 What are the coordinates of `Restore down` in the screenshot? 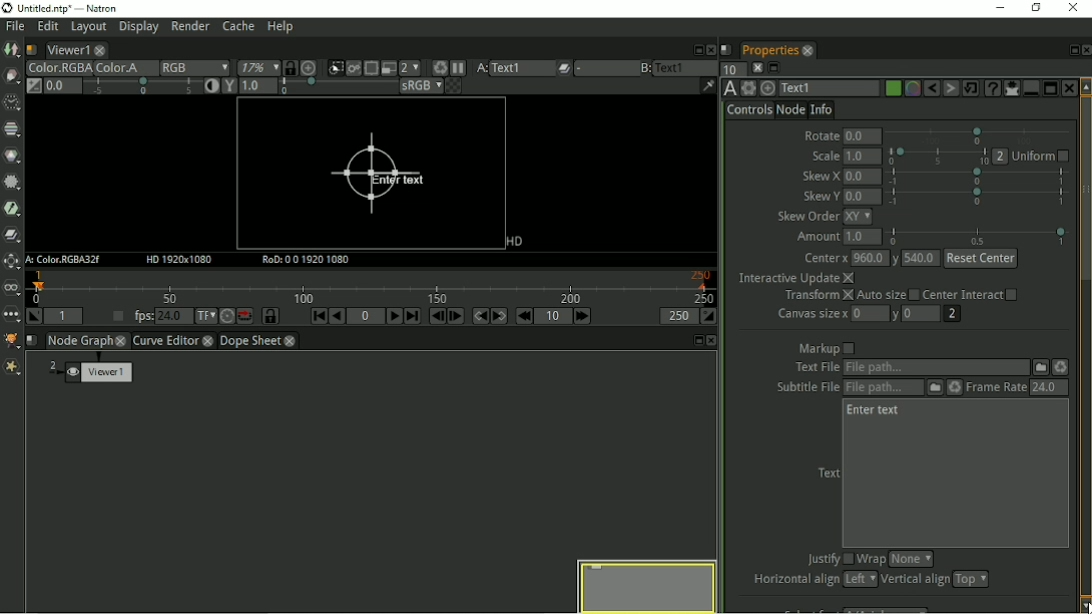 It's located at (1037, 9).